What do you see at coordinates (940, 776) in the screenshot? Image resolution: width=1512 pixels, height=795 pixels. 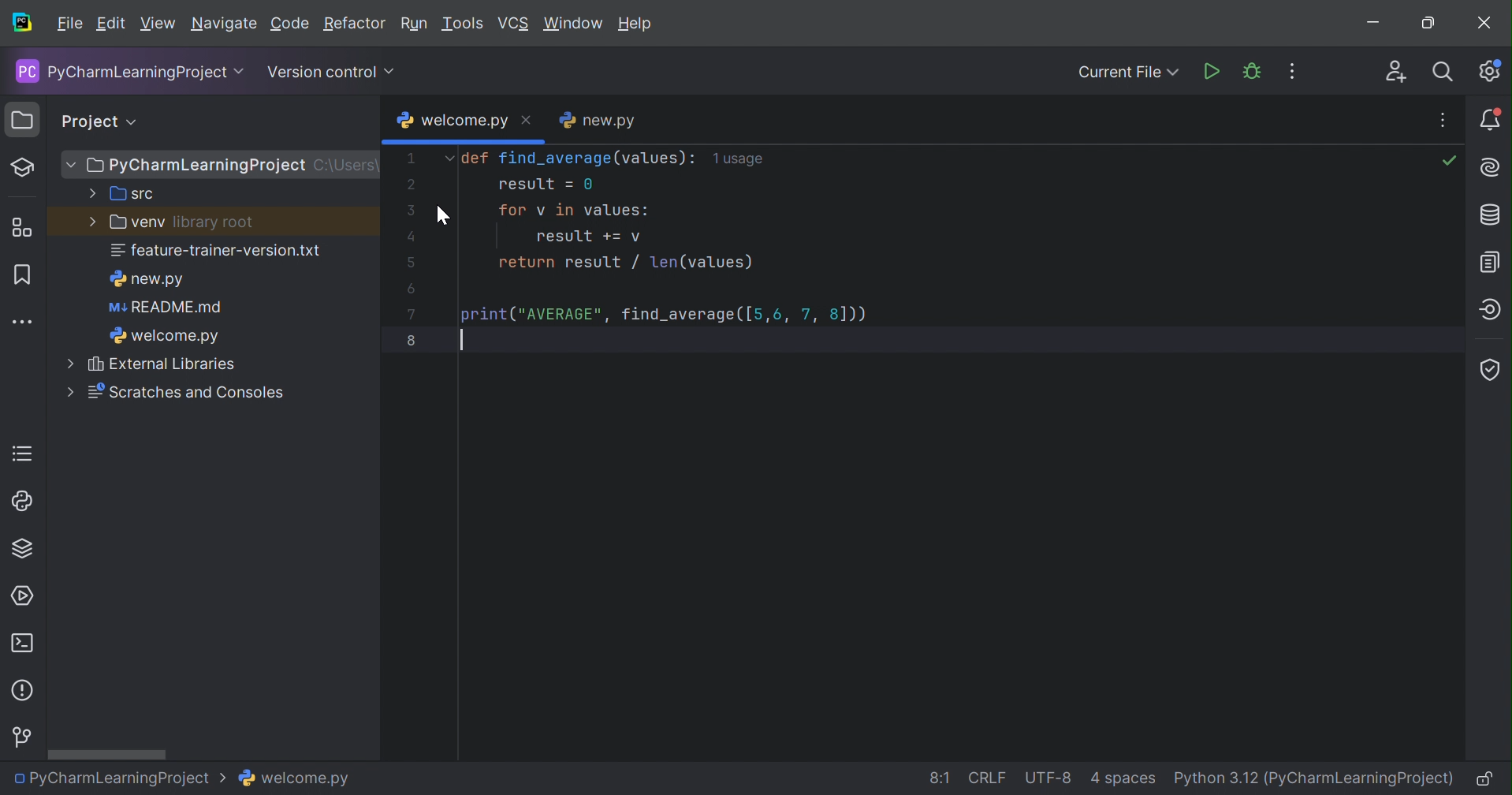 I see `8:1` at bounding box center [940, 776].